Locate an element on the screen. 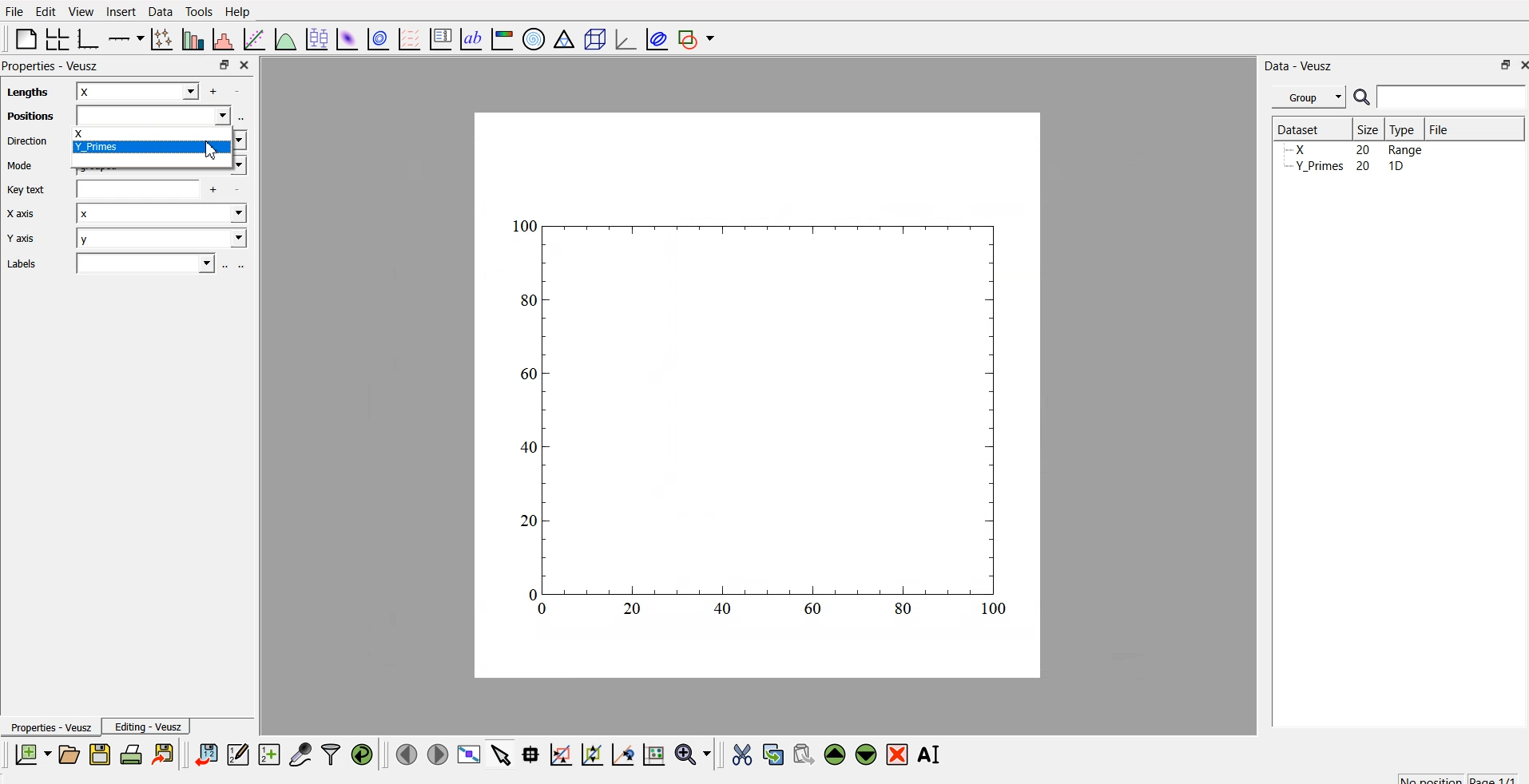 Image resolution: width=1529 pixels, height=784 pixels. Ternary graph is located at coordinates (565, 38).